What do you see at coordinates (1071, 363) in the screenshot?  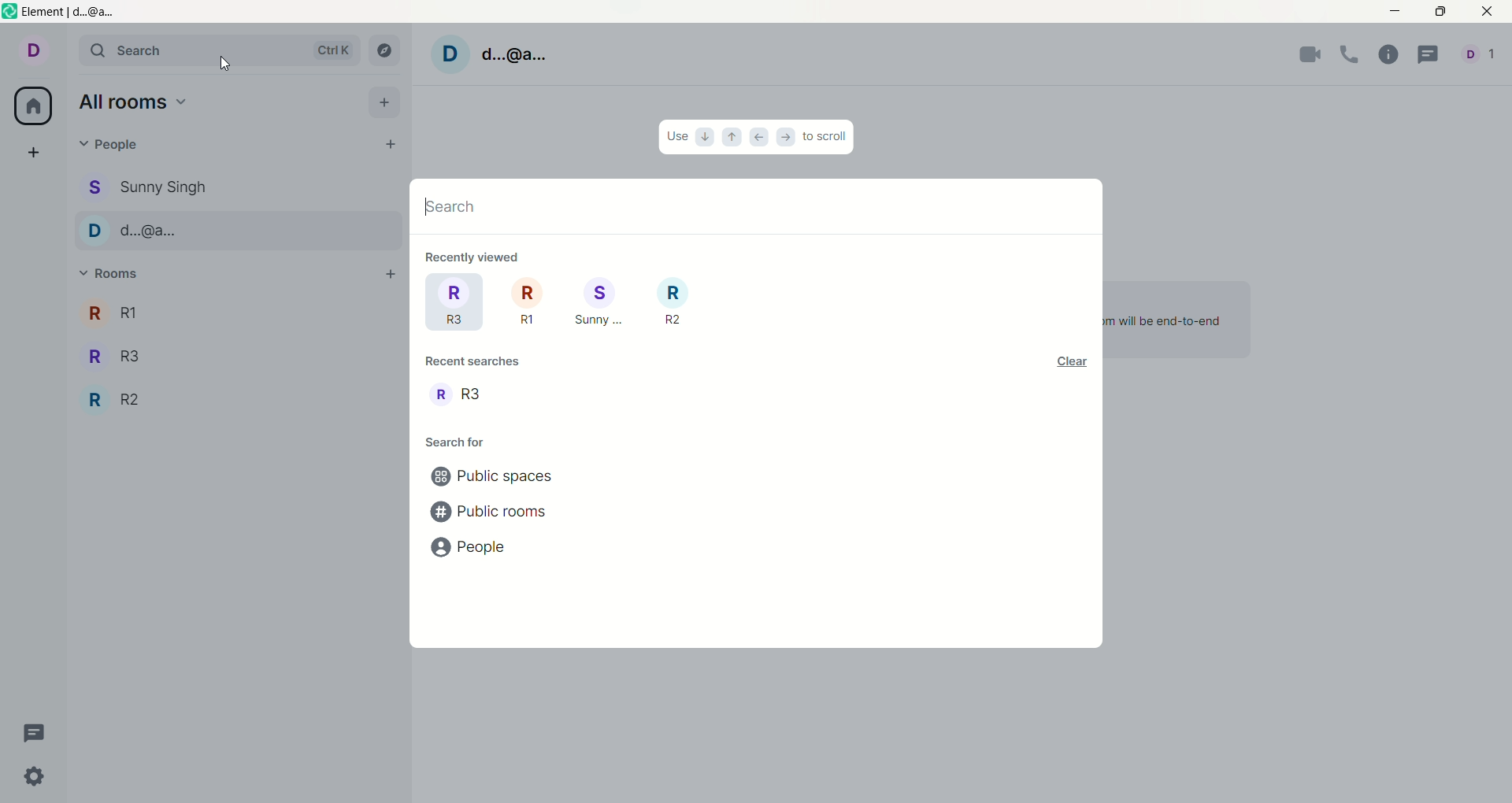 I see `clear` at bounding box center [1071, 363].